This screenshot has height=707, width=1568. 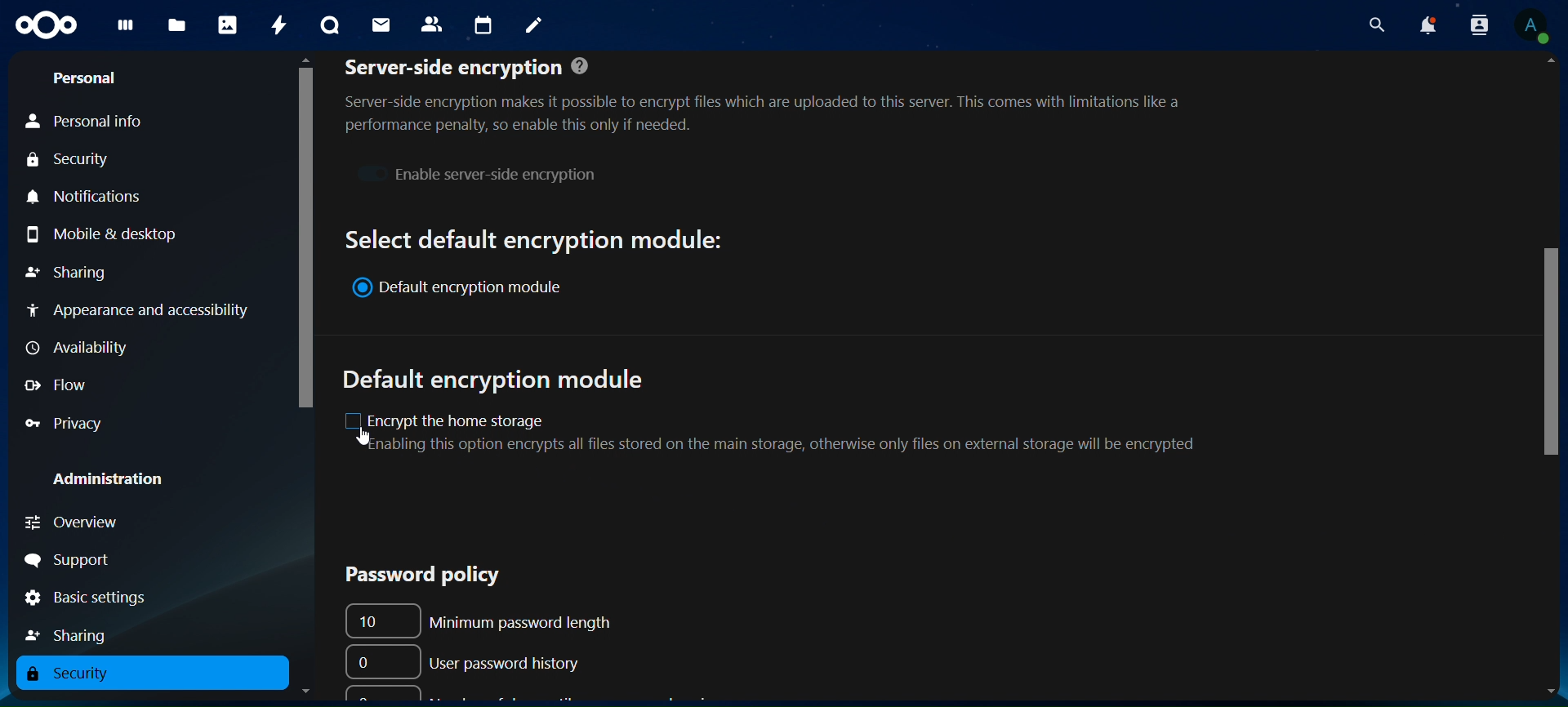 I want to click on mobile & desktop, so click(x=109, y=233).